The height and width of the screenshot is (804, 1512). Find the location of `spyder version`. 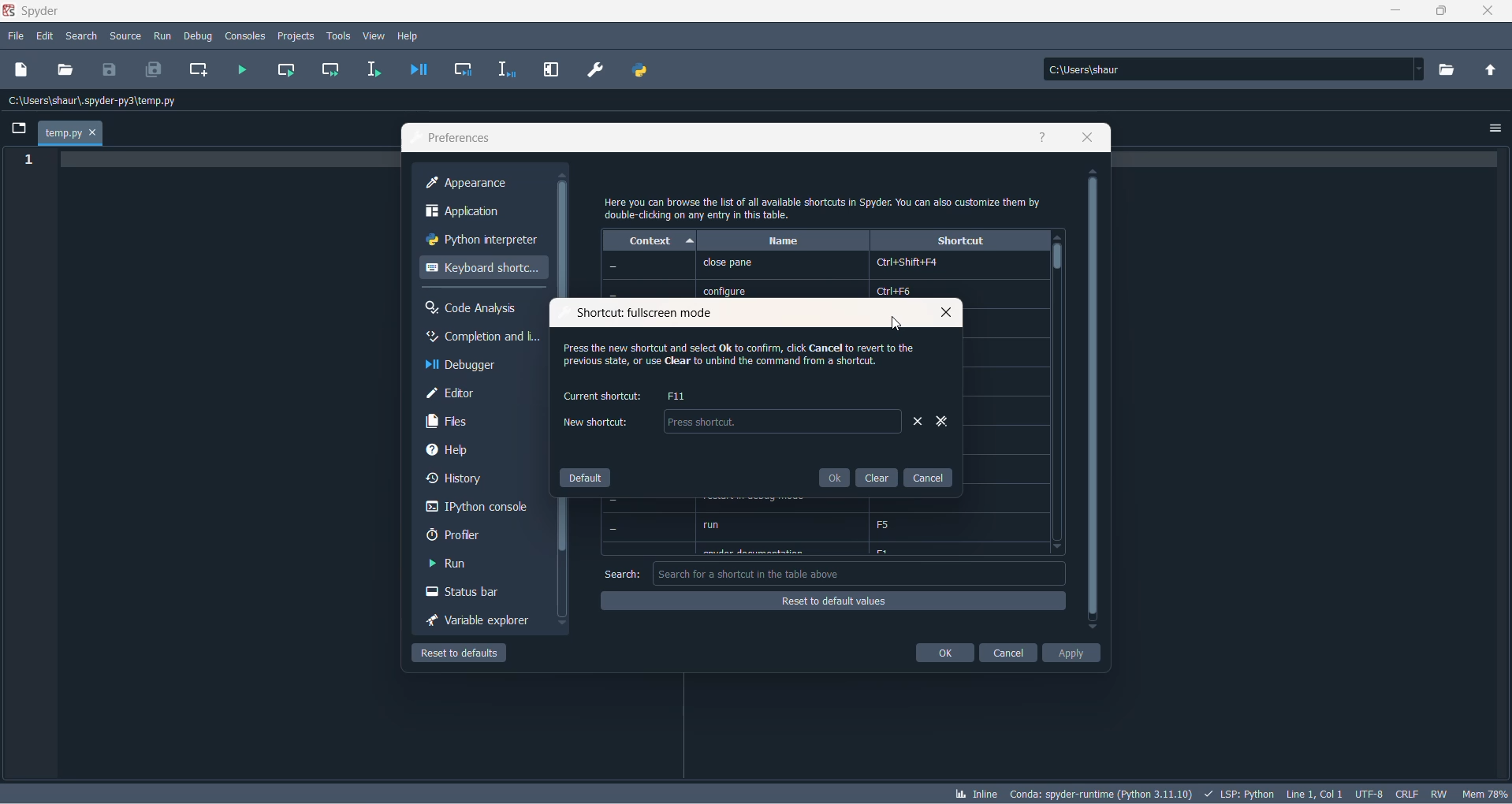

spyder version is located at coordinates (1104, 791).